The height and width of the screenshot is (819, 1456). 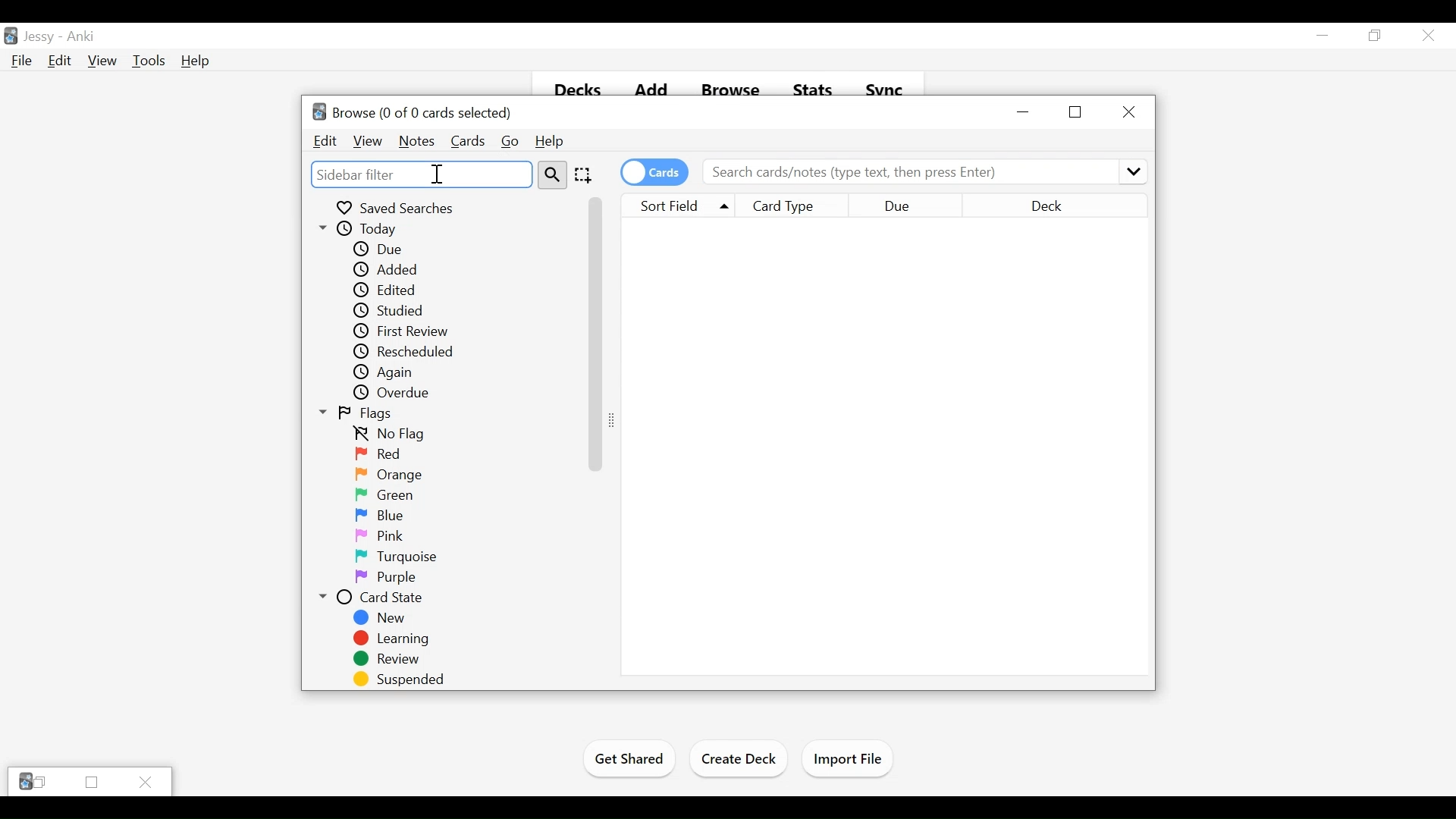 I want to click on Restore, so click(x=1075, y=111).